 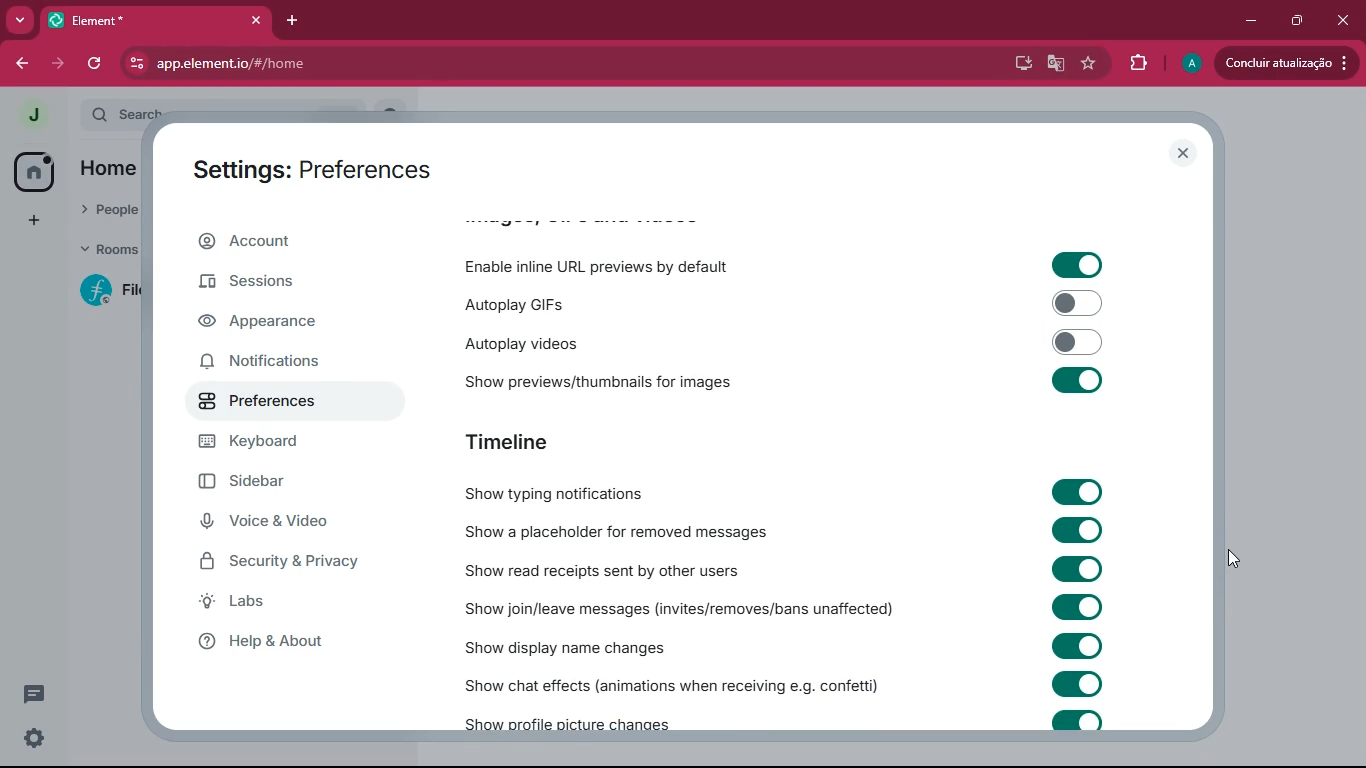 What do you see at coordinates (1079, 684) in the screenshot?
I see `toggle on/off` at bounding box center [1079, 684].